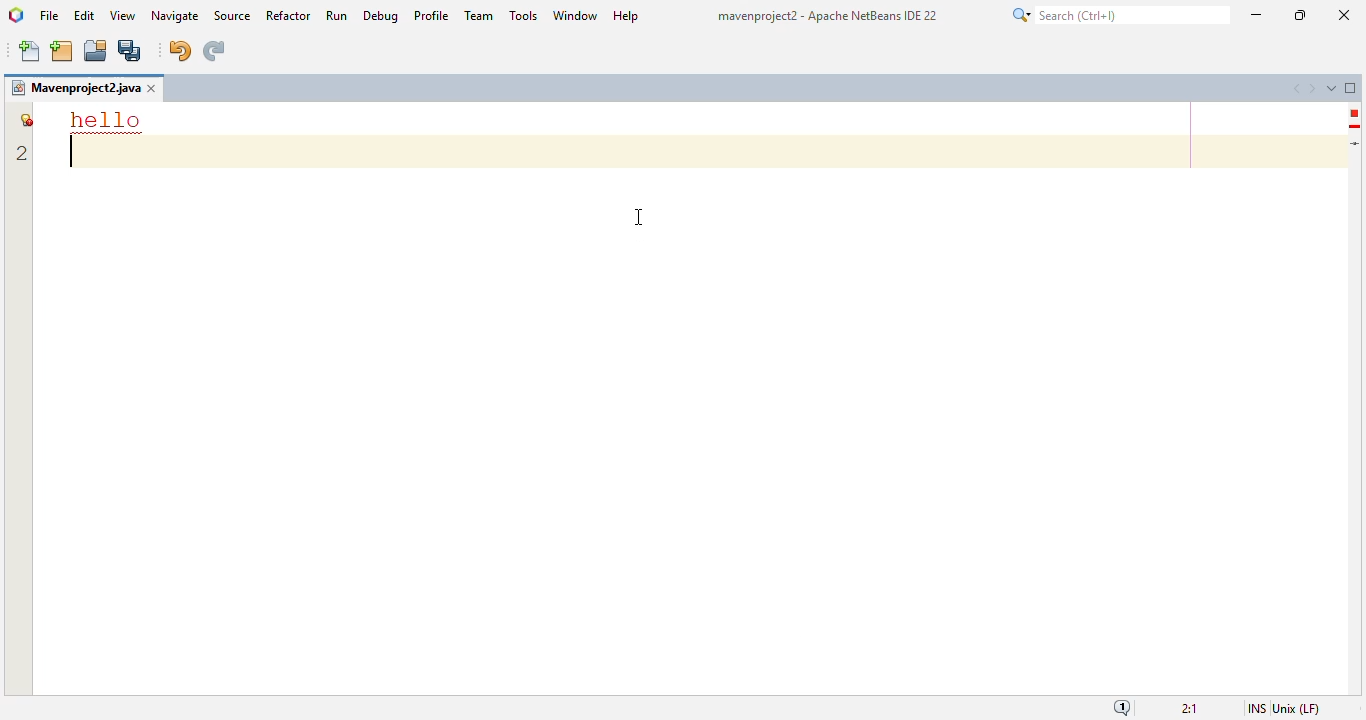  Describe the element at coordinates (123, 16) in the screenshot. I see `view` at that location.